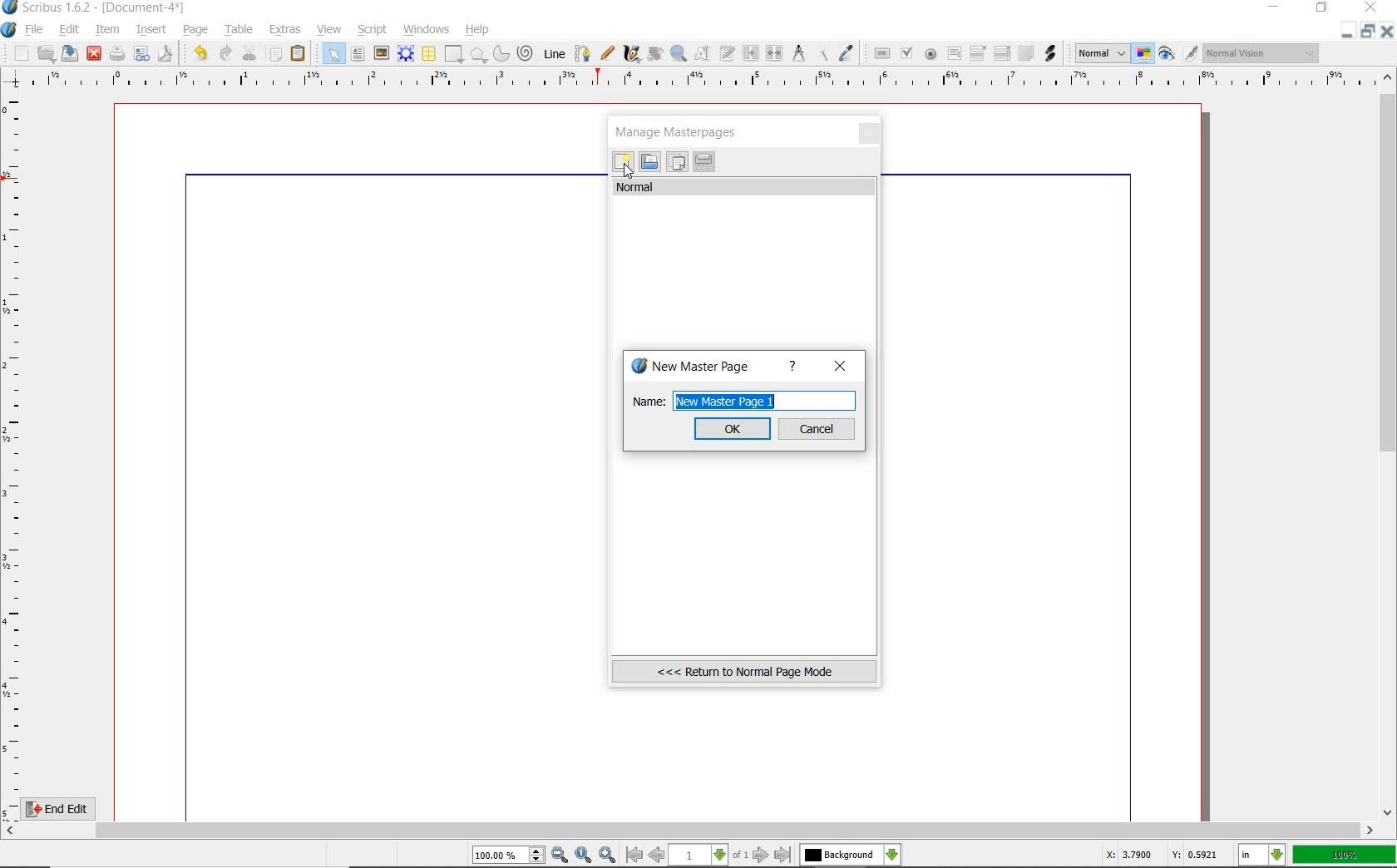  I want to click on script, so click(373, 28).